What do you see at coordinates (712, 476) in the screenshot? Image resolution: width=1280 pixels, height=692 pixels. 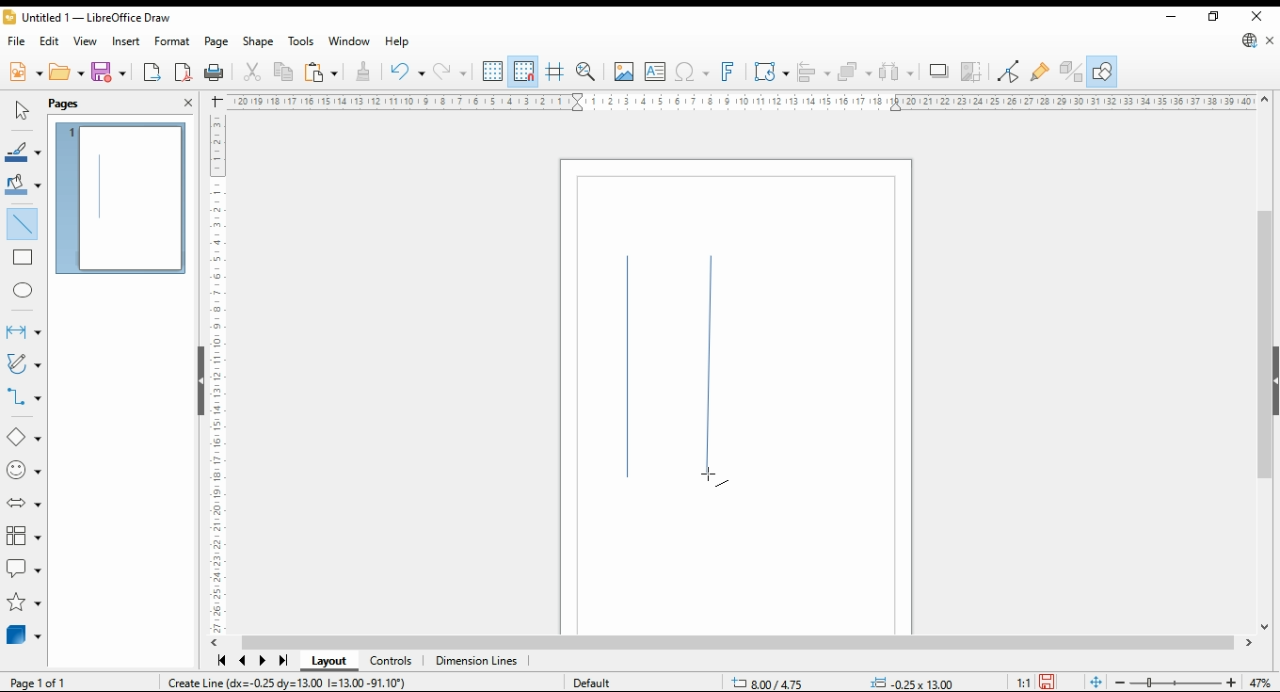 I see `mouse pointer` at bounding box center [712, 476].